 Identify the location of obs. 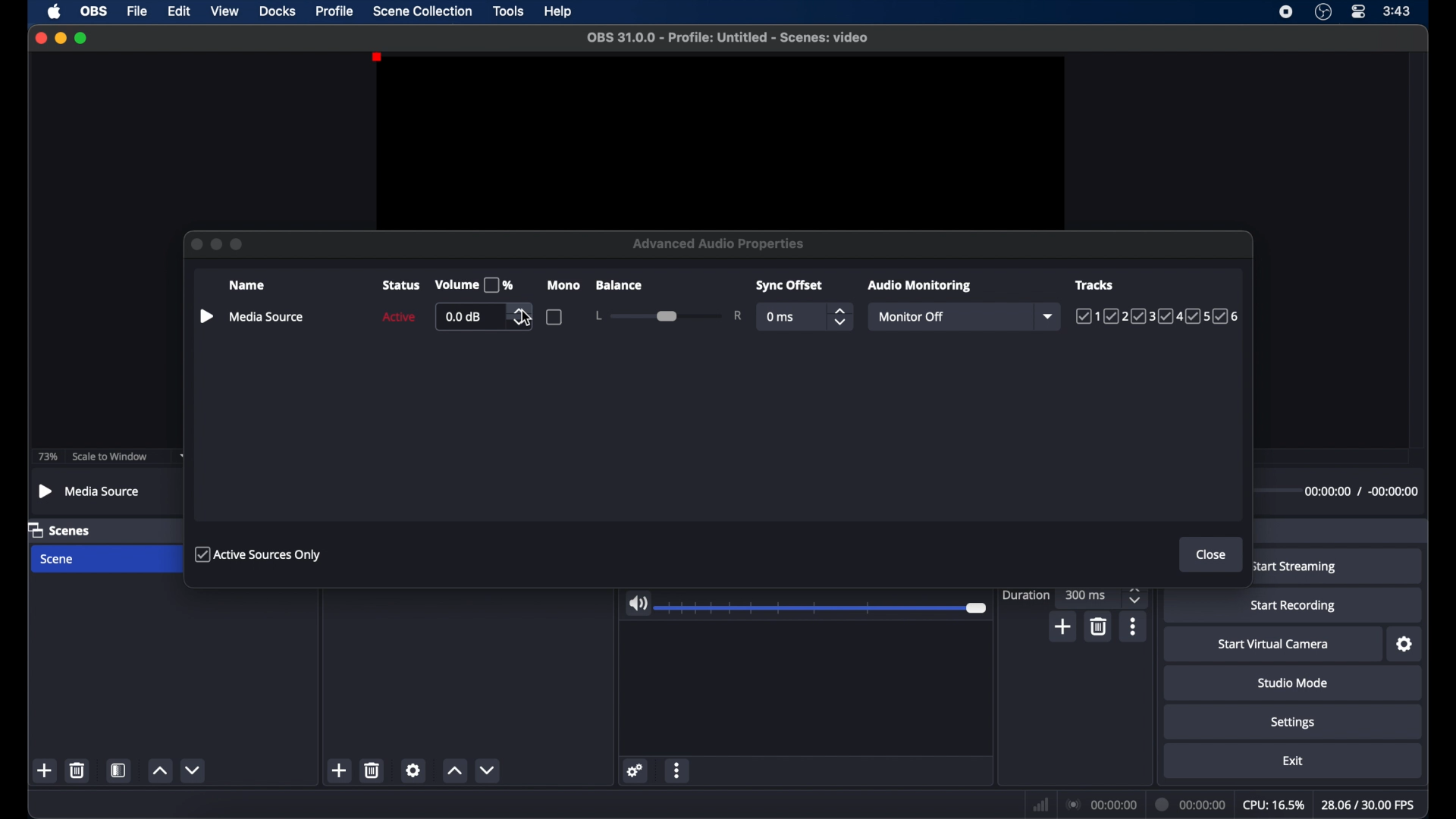
(94, 11).